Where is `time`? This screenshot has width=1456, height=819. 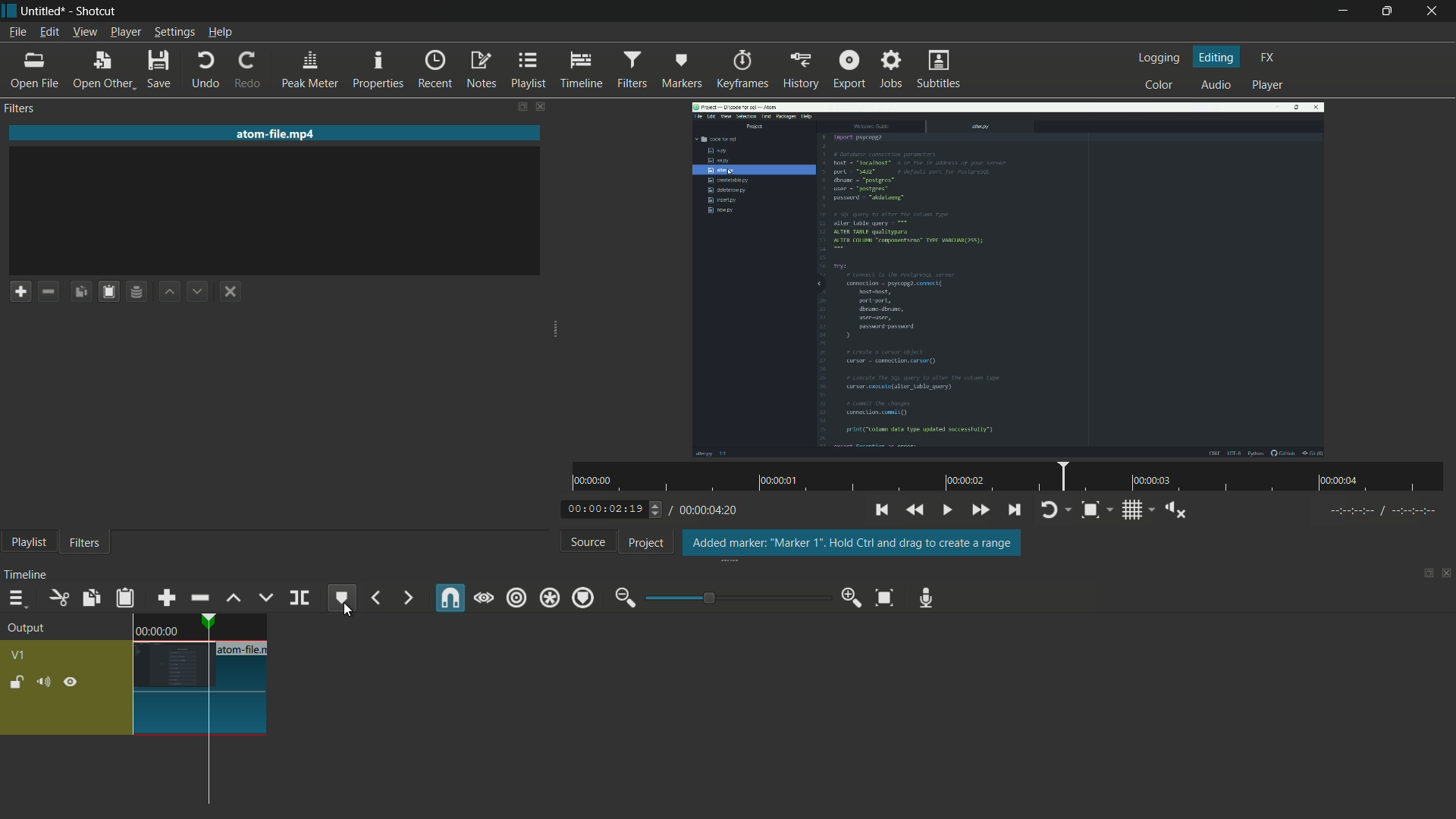
time is located at coordinates (157, 629).